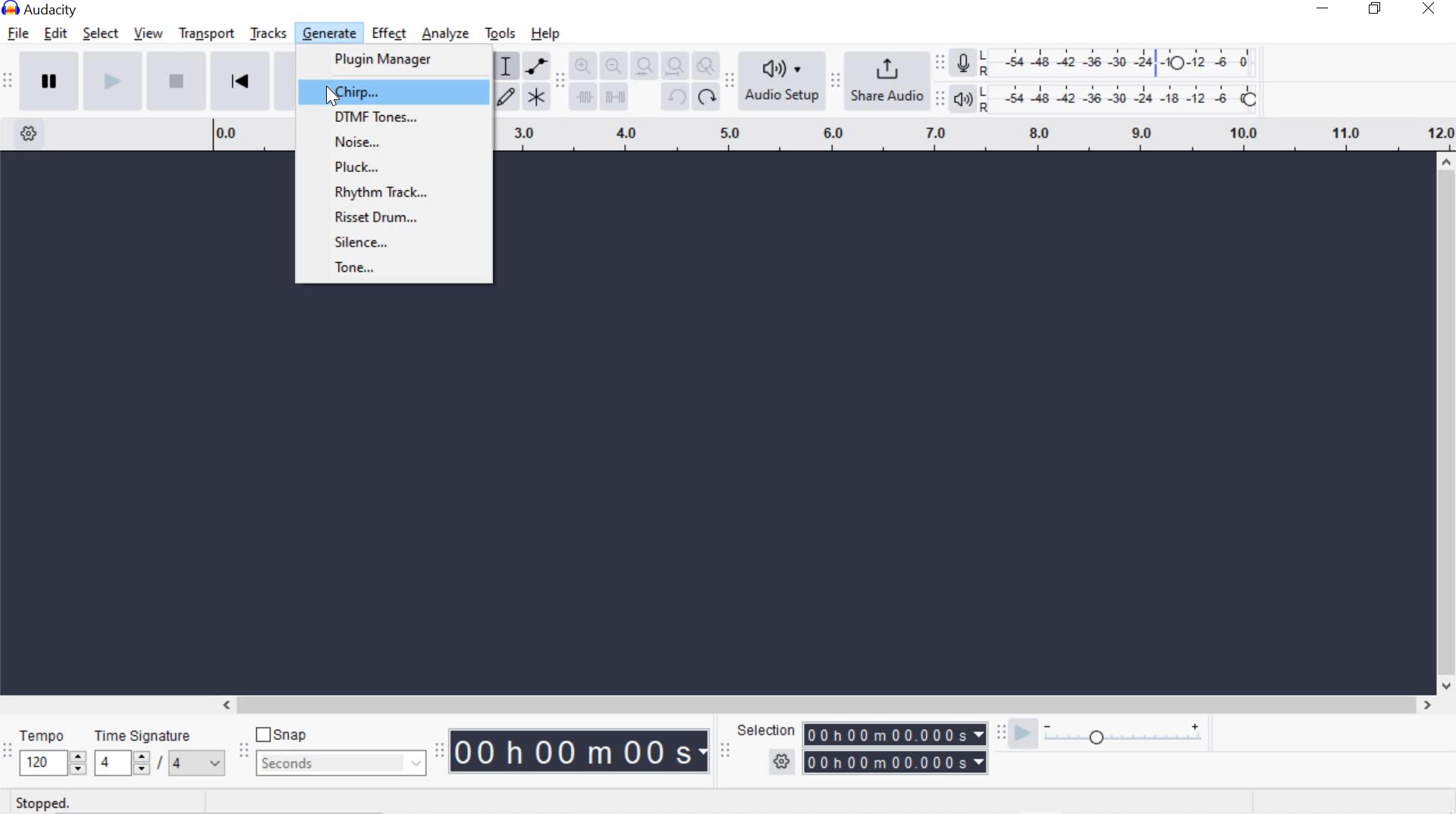  What do you see at coordinates (52, 750) in the screenshot?
I see `Tempo` at bounding box center [52, 750].